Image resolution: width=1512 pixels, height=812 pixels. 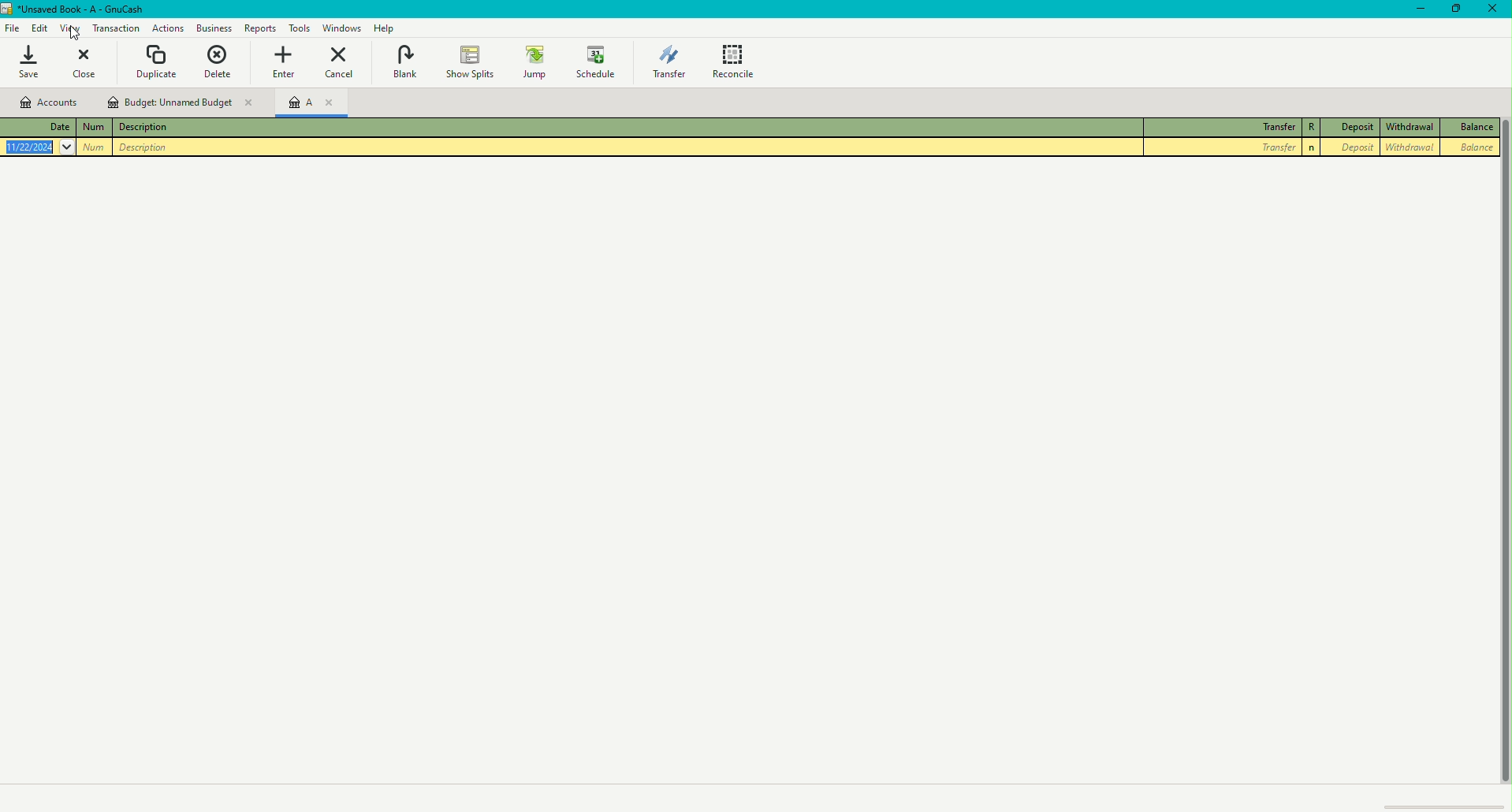 What do you see at coordinates (157, 61) in the screenshot?
I see `Duplicate` at bounding box center [157, 61].